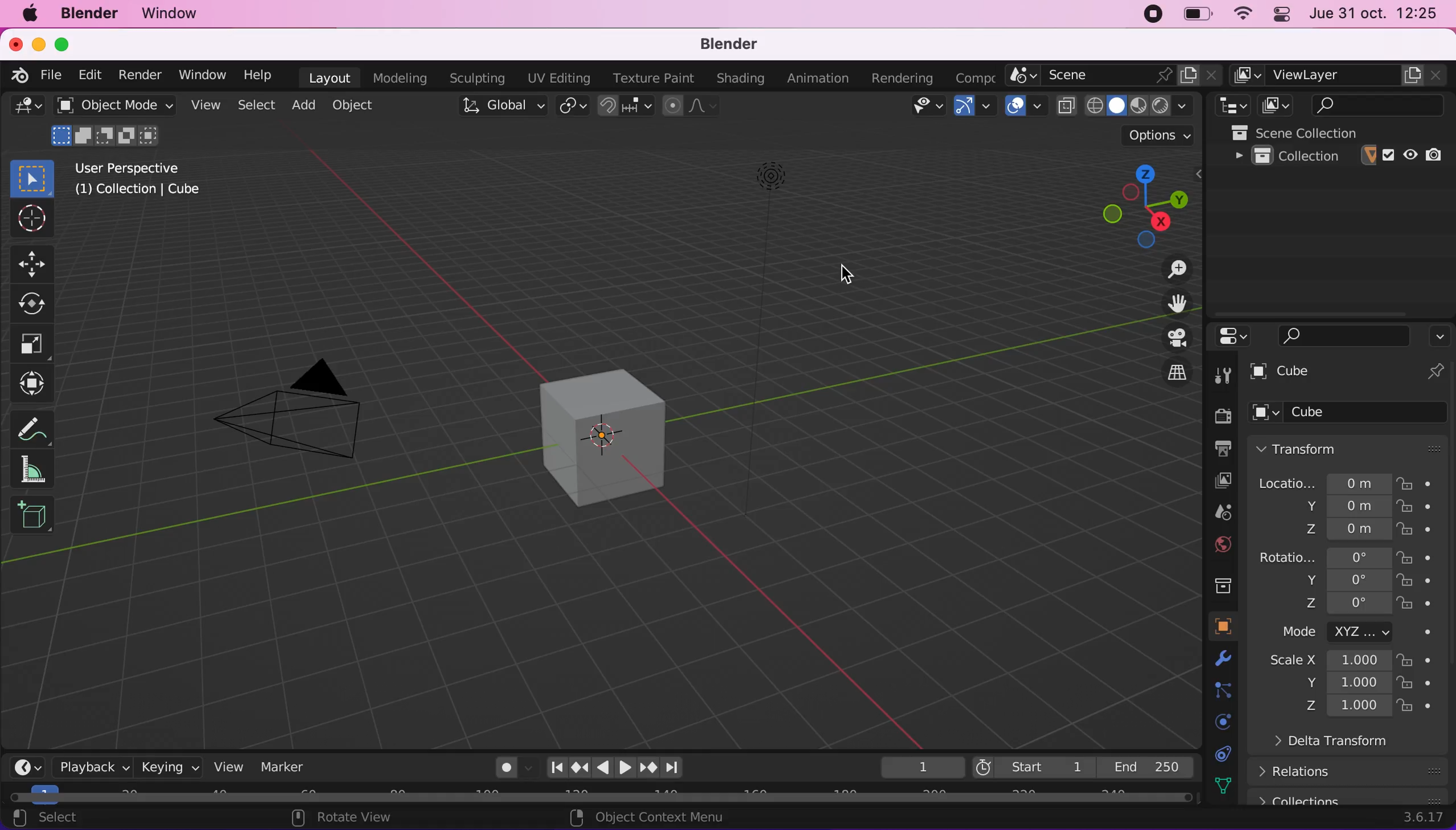 The height and width of the screenshot is (830, 1456). Describe the element at coordinates (974, 106) in the screenshot. I see `gizmos` at that location.